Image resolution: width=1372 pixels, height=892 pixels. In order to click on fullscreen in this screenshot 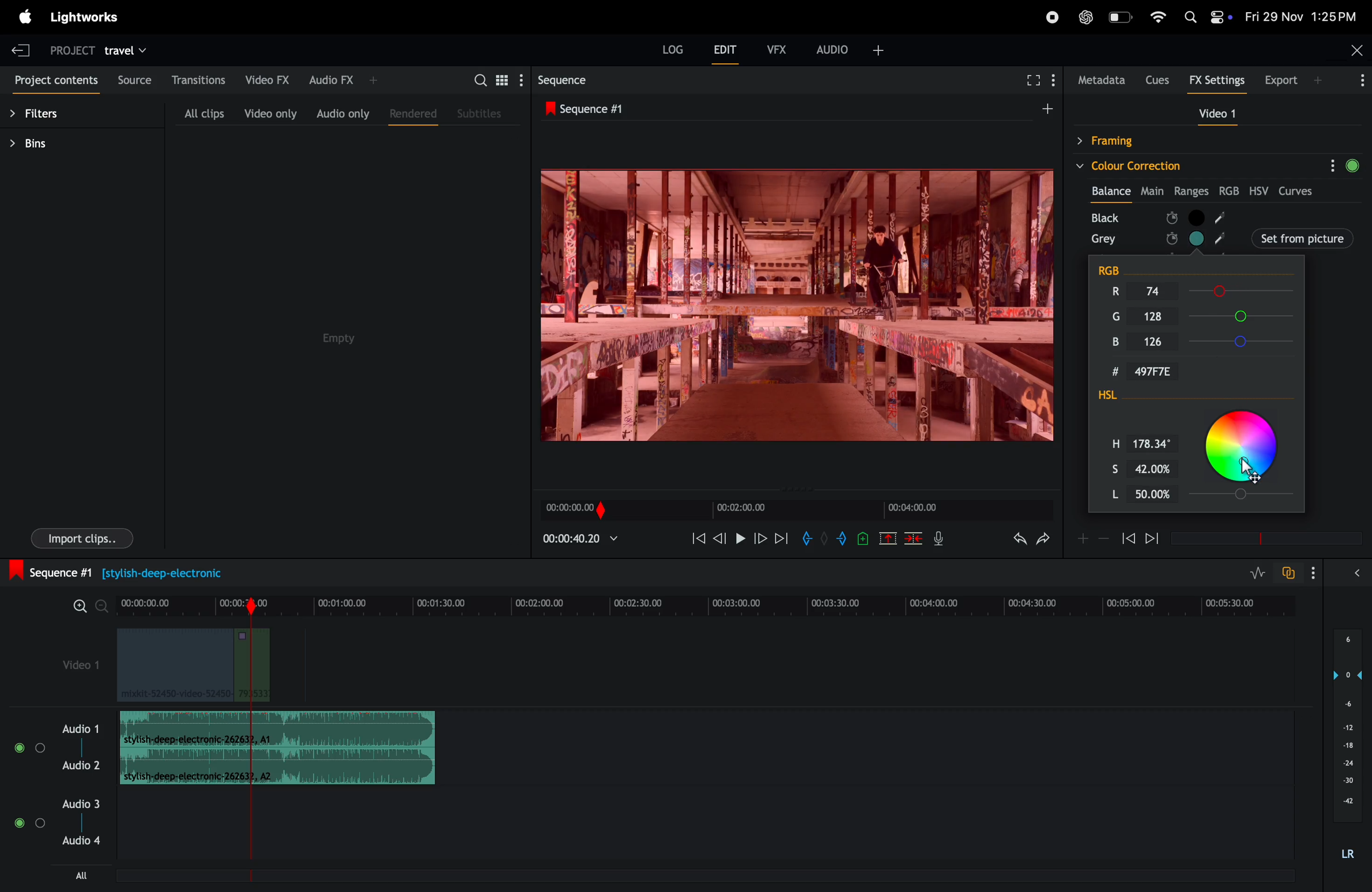, I will do `click(1027, 80)`.